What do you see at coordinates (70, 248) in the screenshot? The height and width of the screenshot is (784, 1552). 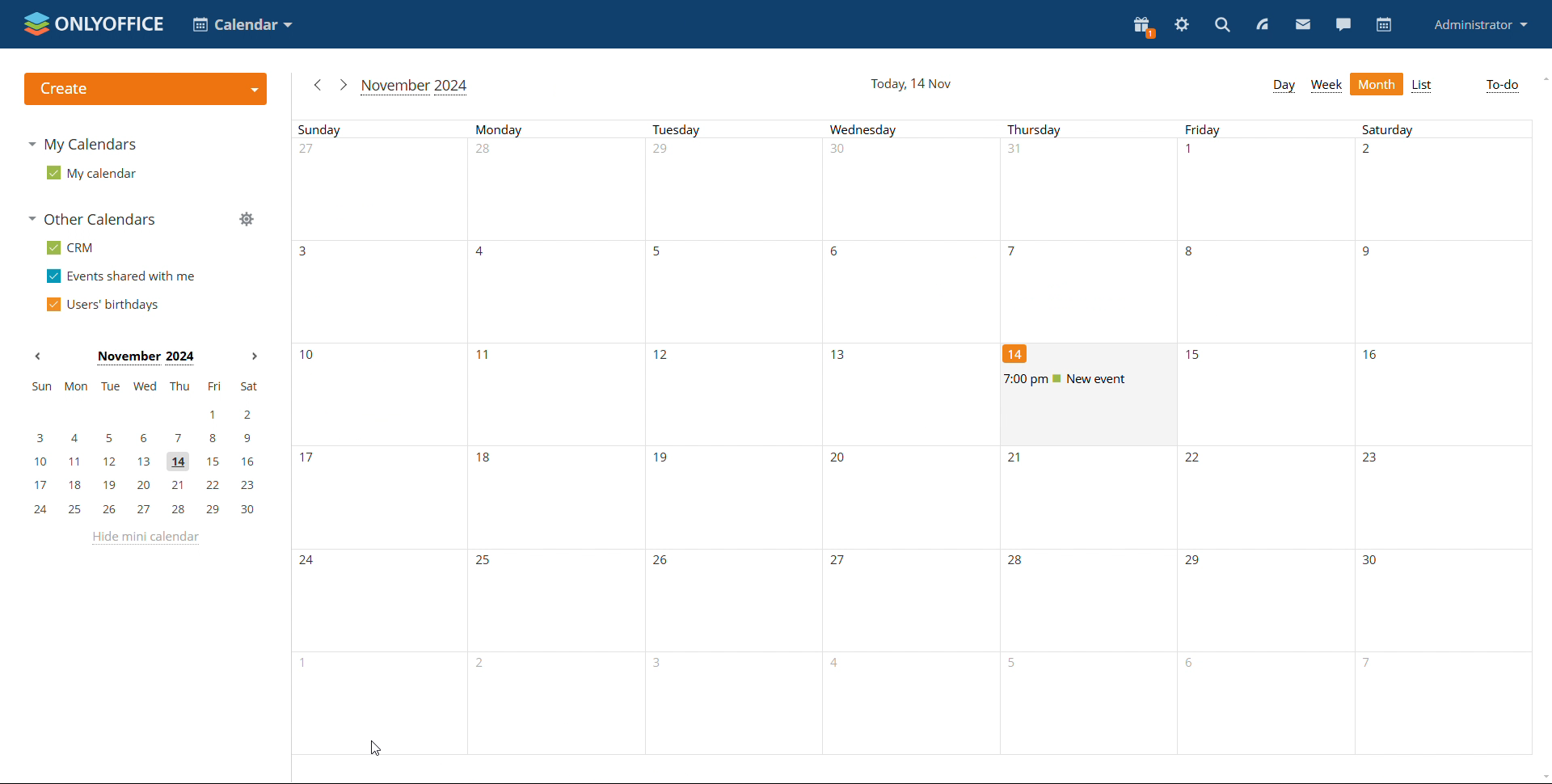 I see `crm` at bounding box center [70, 248].